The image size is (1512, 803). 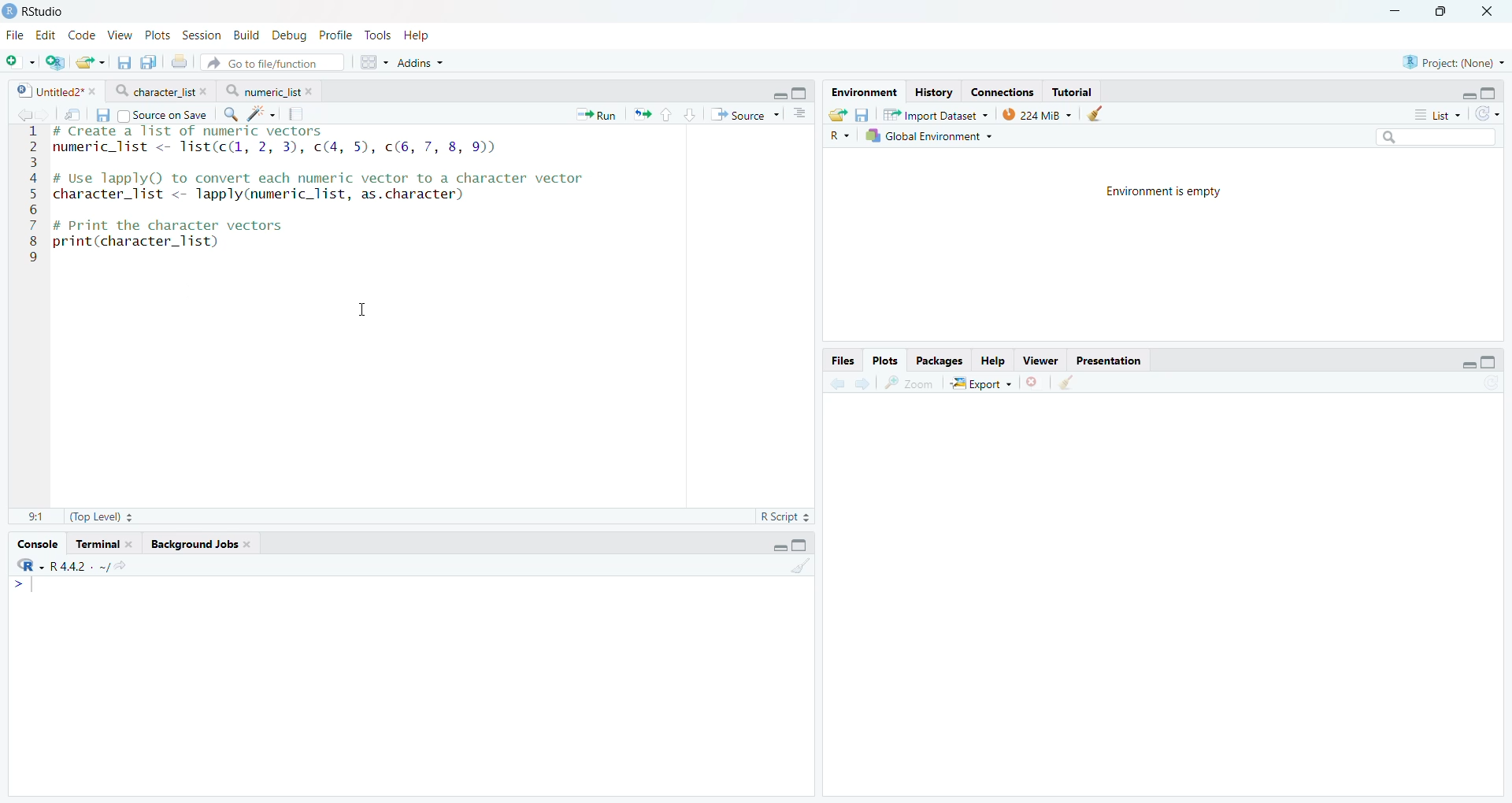 What do you see at coordinates (1492, 384) in the screenshot?
I see `Refresh list` at bounding box center [1492, 384].